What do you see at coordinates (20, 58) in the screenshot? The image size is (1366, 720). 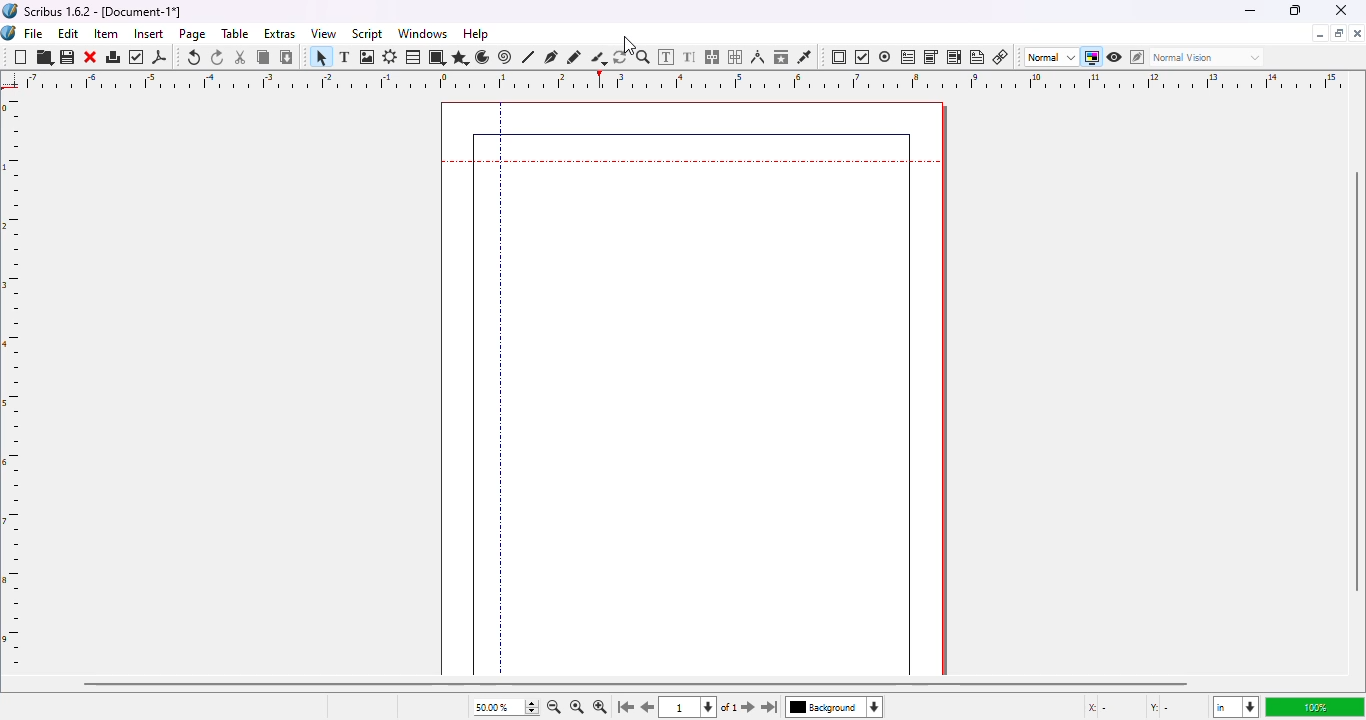 I see `new` at bounding box center [20, 58].